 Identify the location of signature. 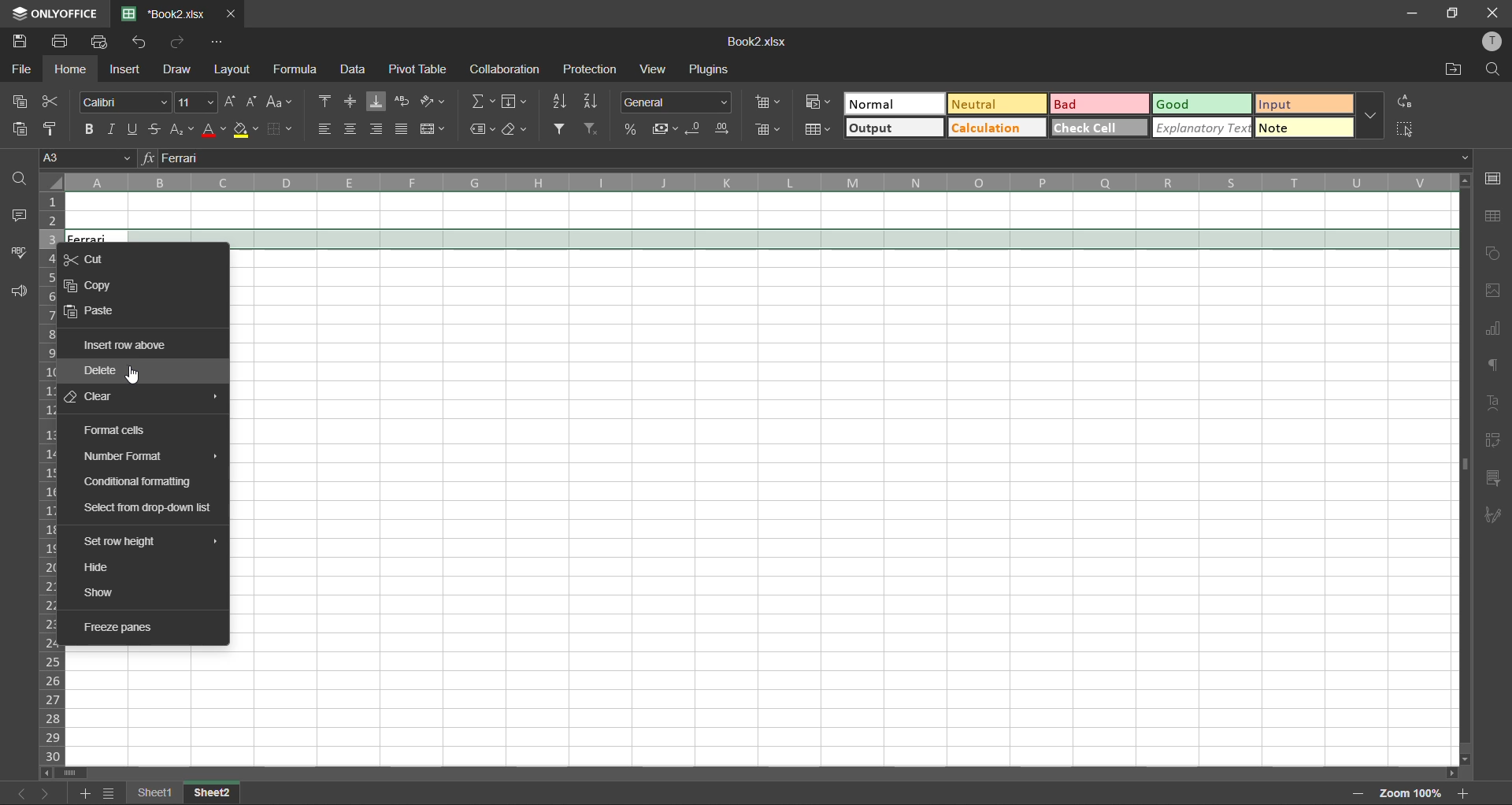
(1495, 515).